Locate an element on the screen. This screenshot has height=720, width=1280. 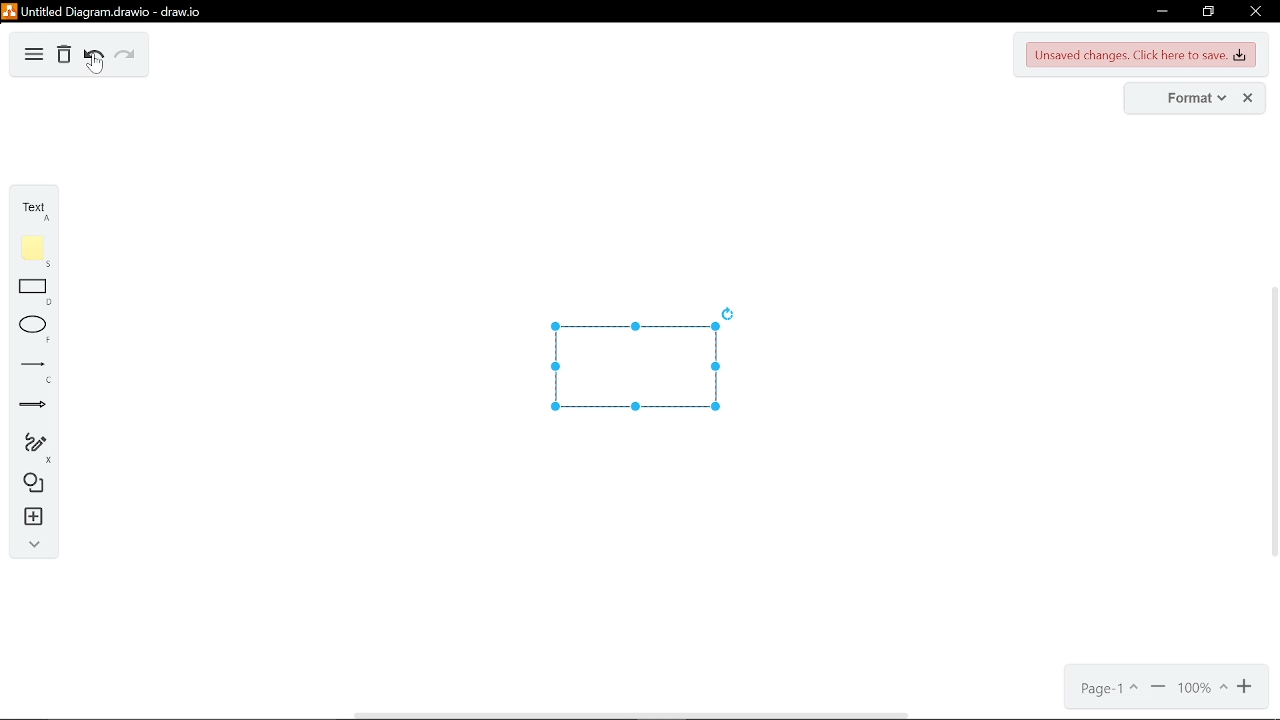
cursor is located at coordinates (94, 65).